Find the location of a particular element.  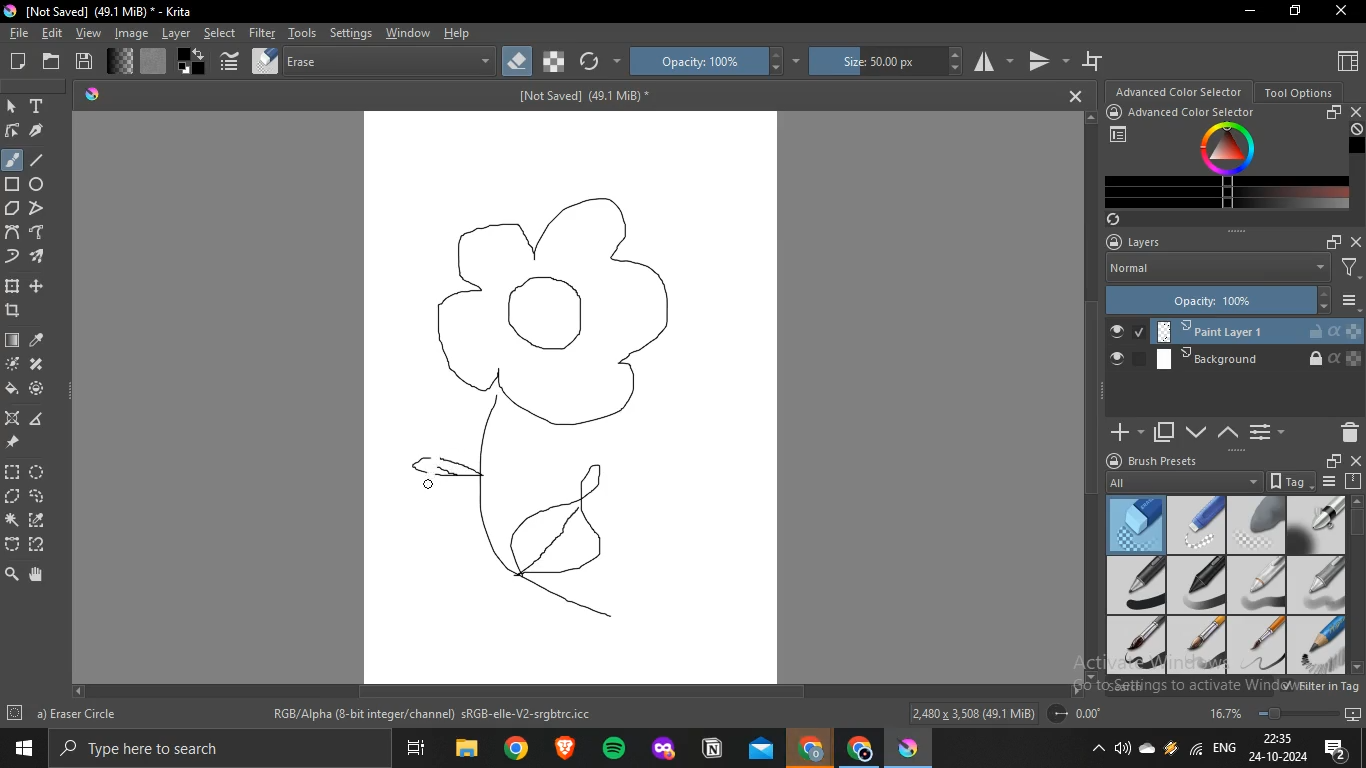

vertical mirror tool is located at coordinates (1045, 65).